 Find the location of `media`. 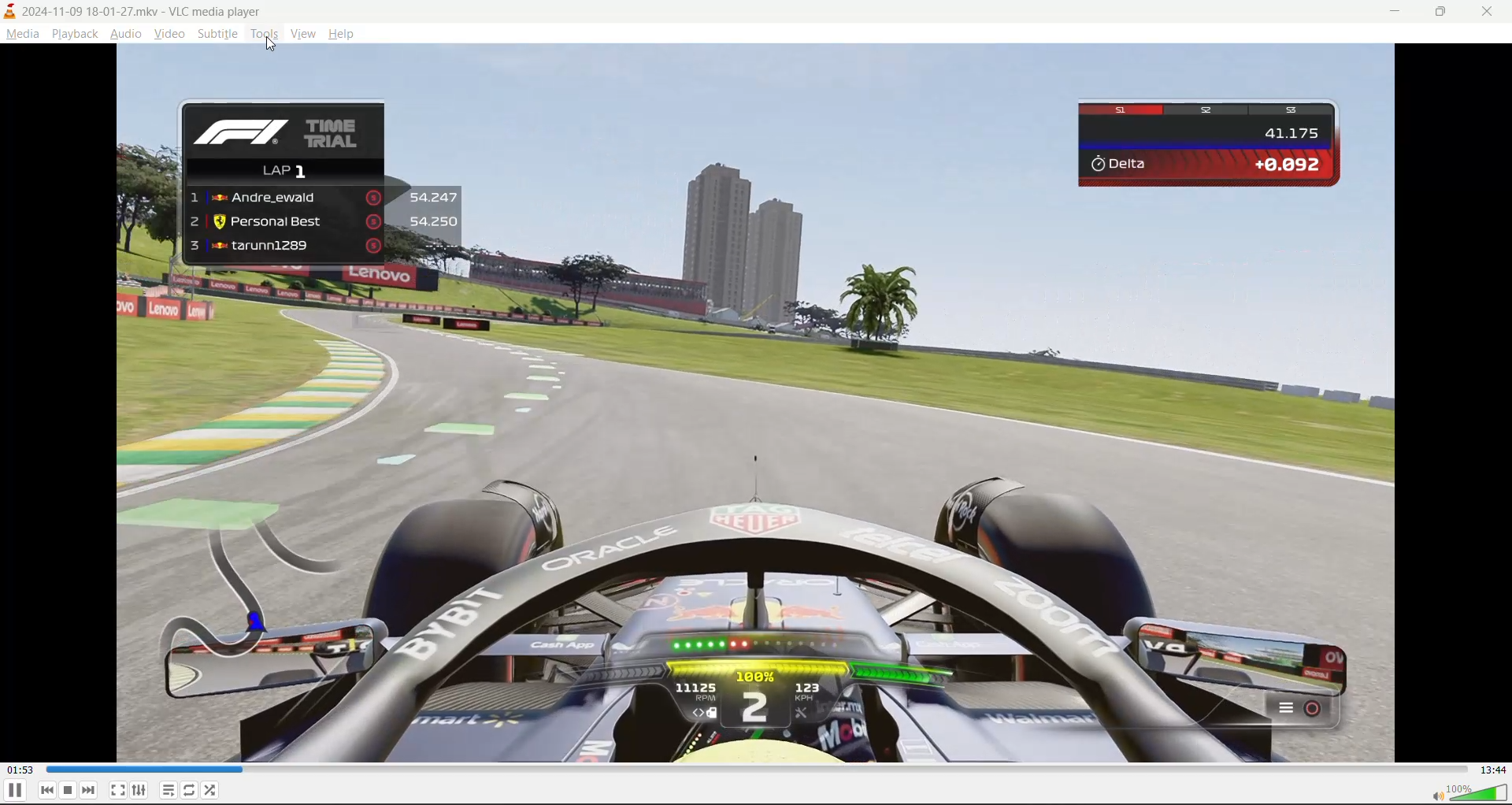

media is located at coordinates (24, 35).